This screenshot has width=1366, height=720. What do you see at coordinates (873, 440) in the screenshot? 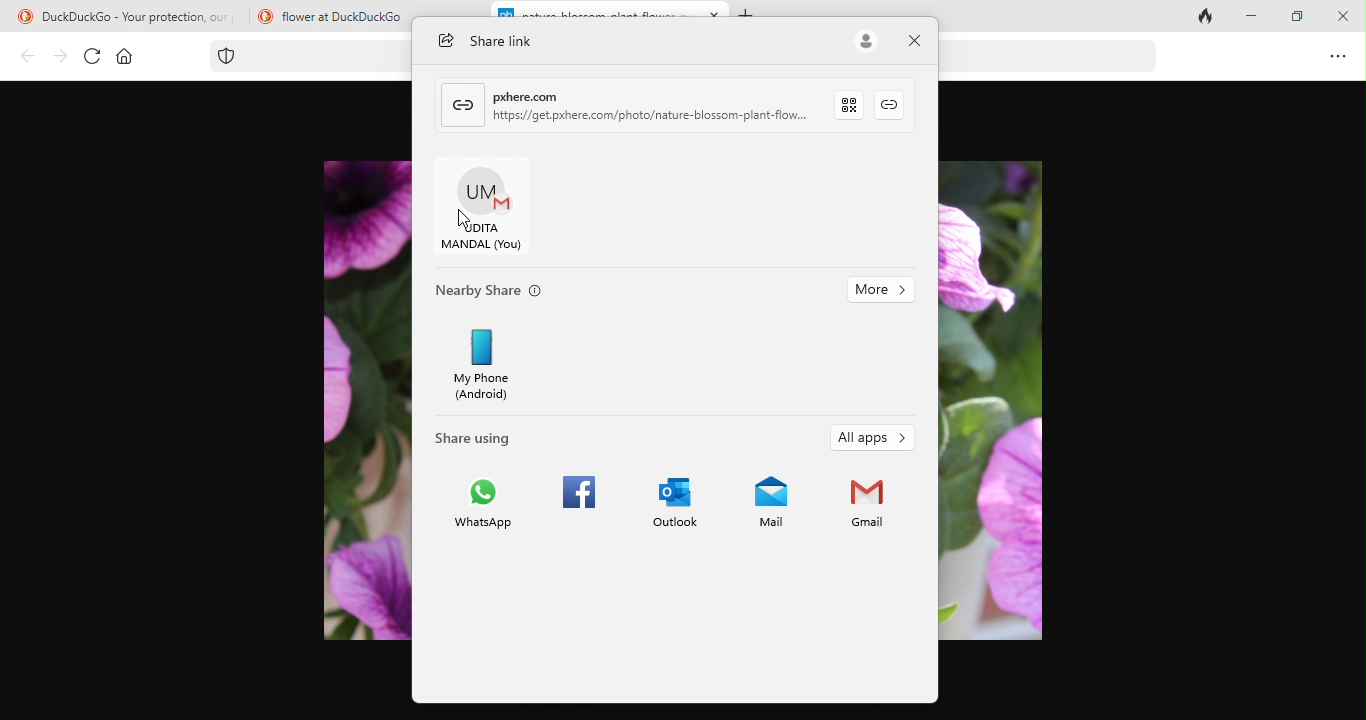
I see `all apps` at bounding box center [873, 440].